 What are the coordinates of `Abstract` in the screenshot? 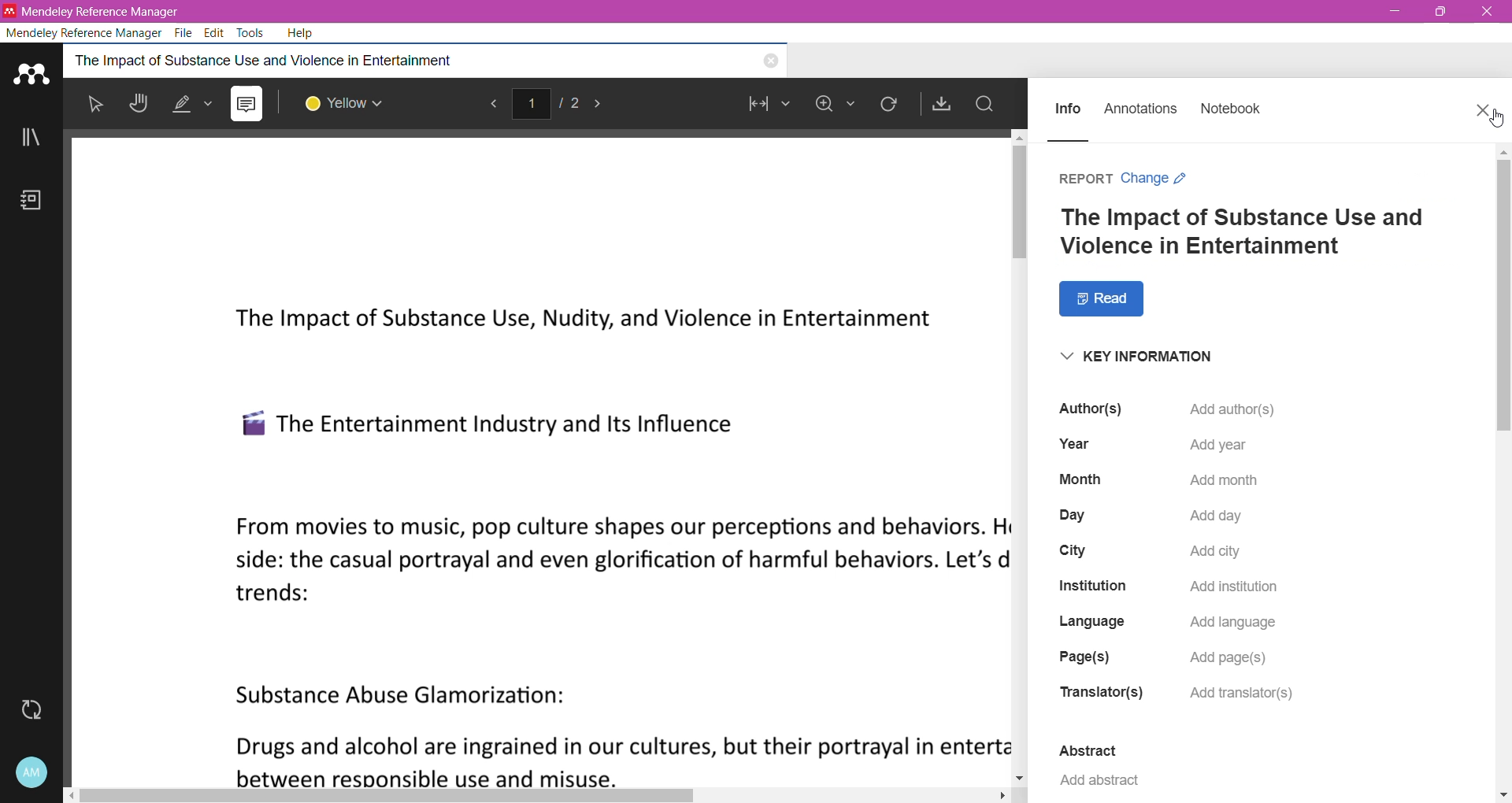 It's located at (1093, 751).